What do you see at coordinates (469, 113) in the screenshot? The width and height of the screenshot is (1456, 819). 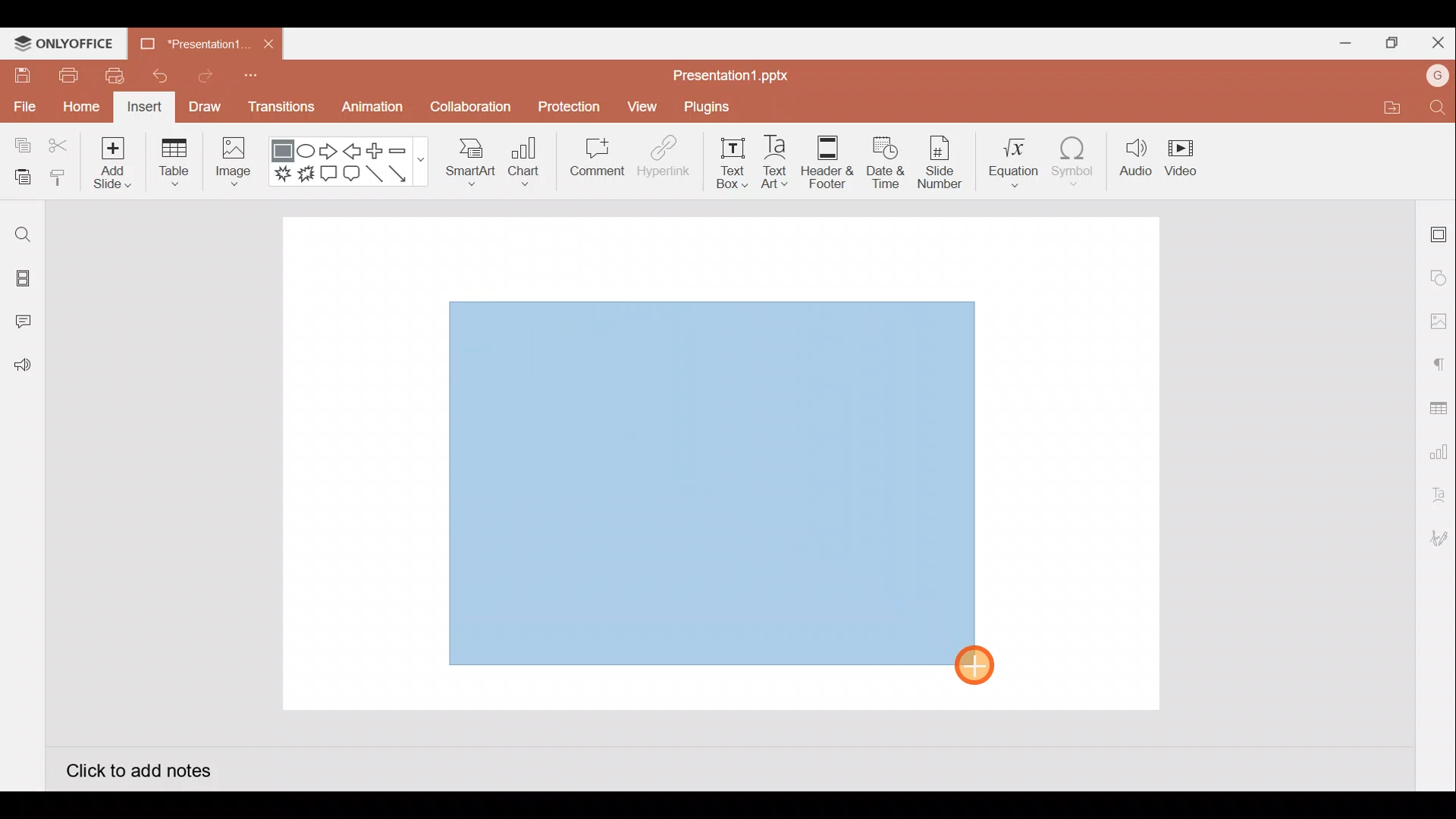 I see `Collaboration` at bounding box center [469, 113].